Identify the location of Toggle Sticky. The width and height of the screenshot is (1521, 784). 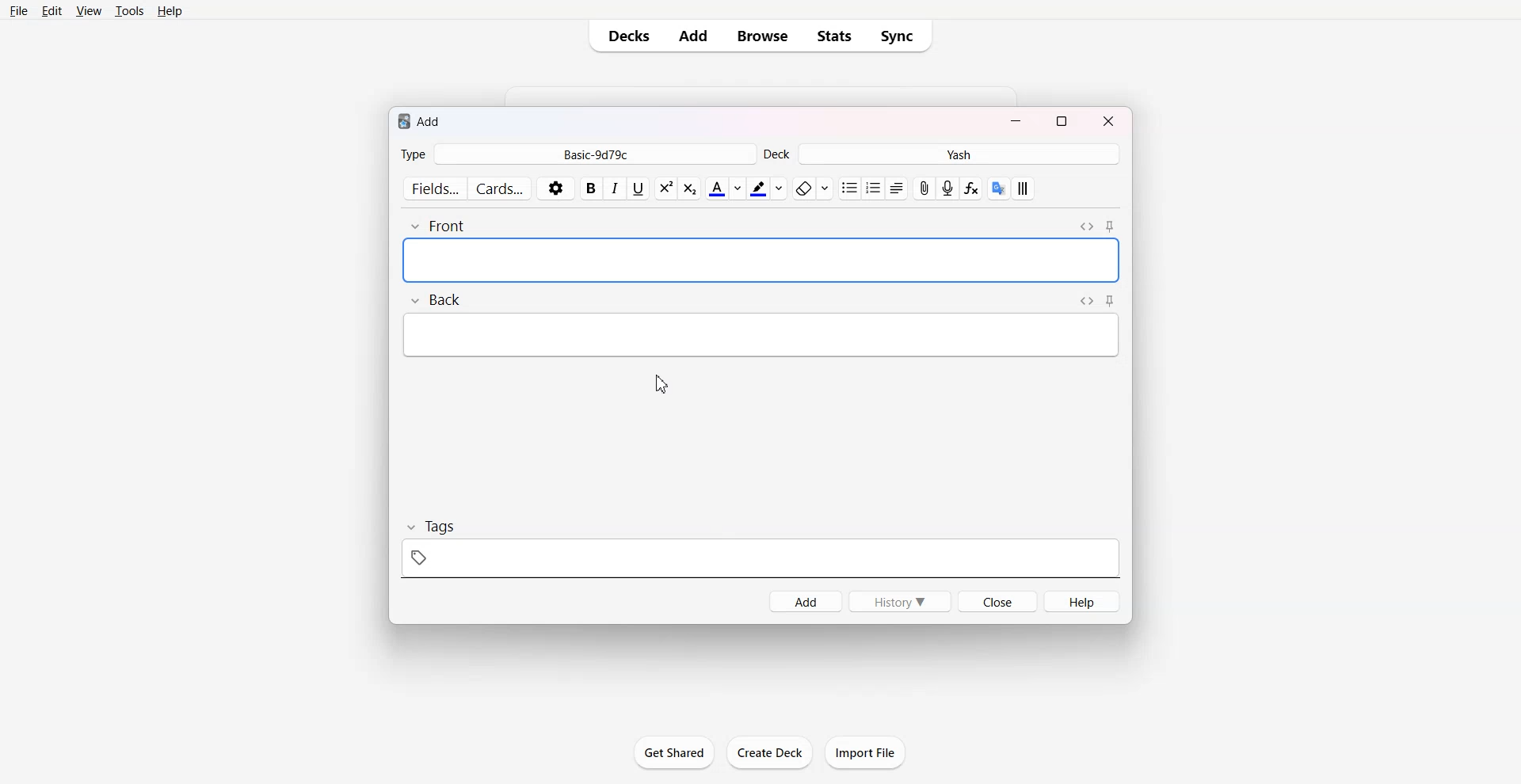
(1109, 226).